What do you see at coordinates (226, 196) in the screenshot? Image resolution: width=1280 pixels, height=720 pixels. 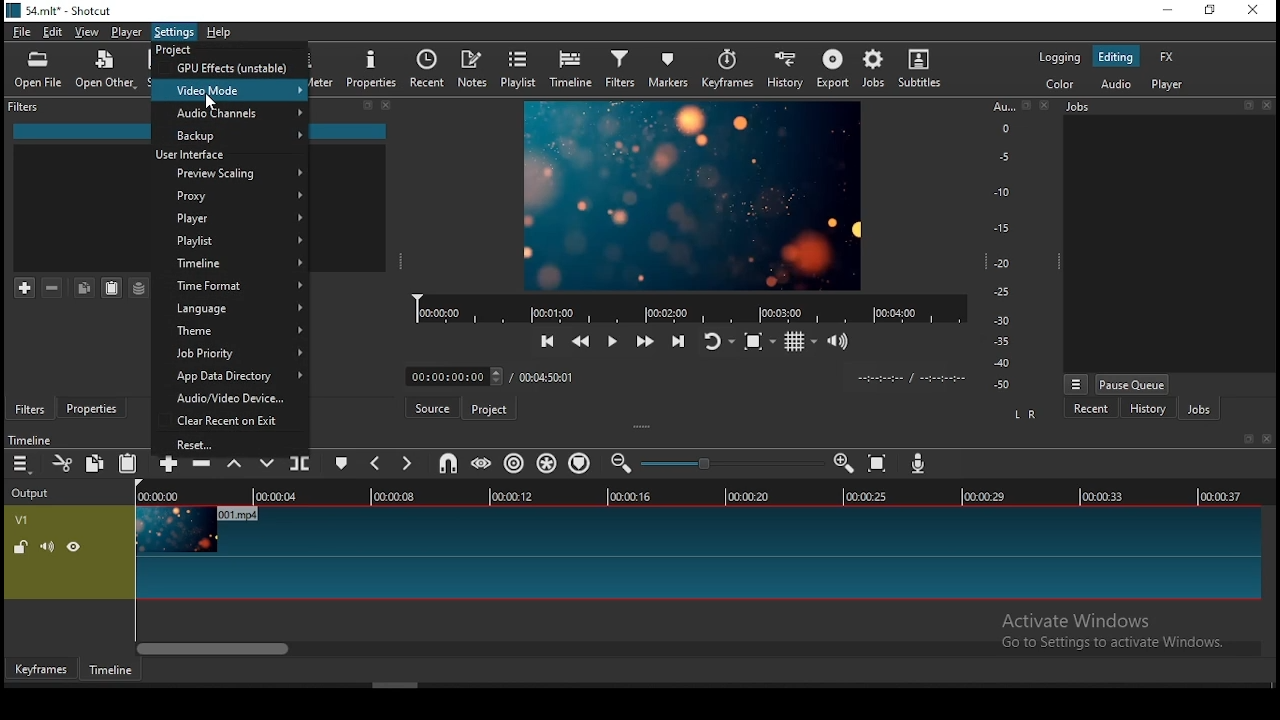 I see `proxy` at bounding box center [226, 196].